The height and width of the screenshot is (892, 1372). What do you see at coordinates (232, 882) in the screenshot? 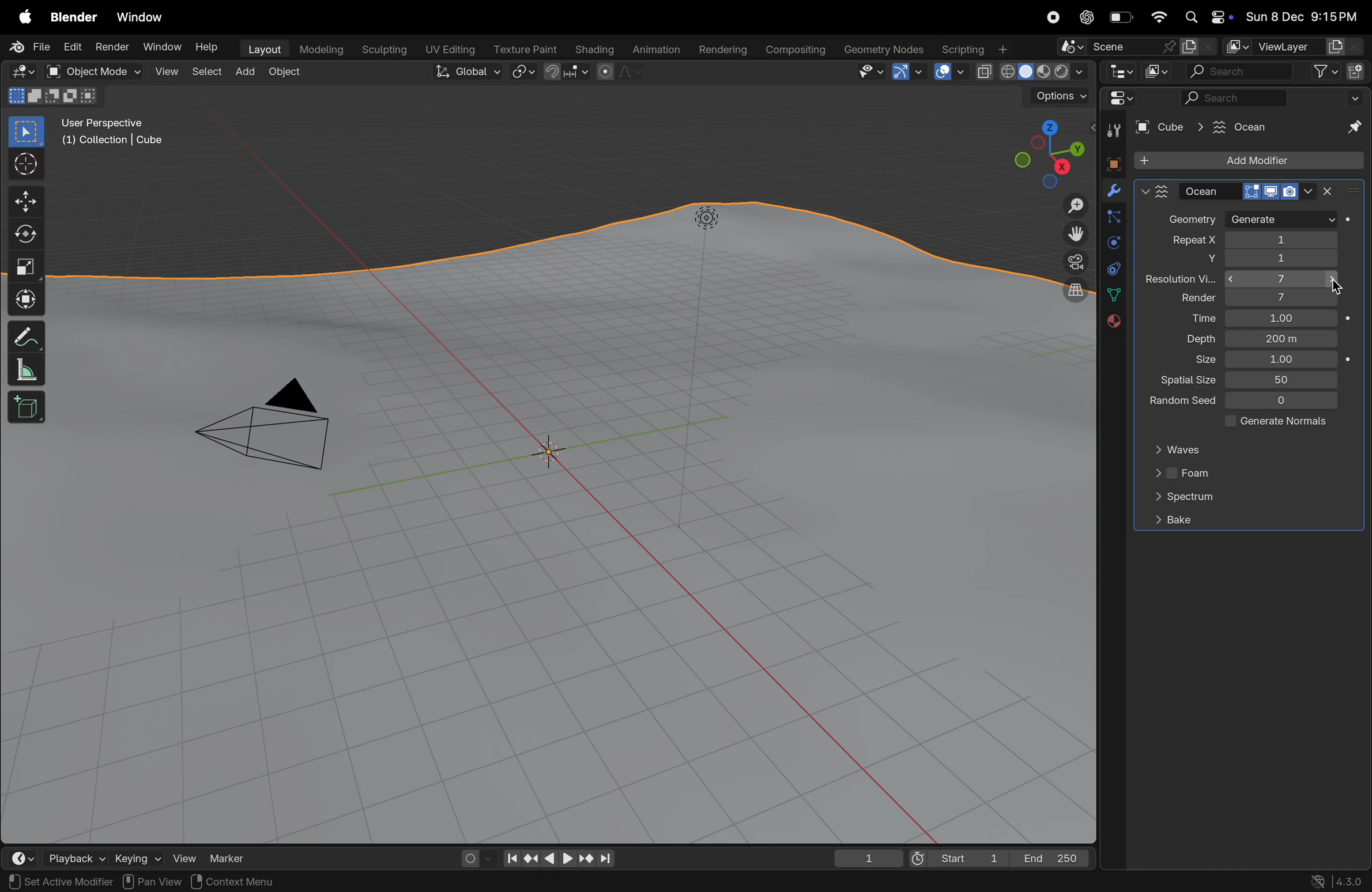
I see `Context Menu` at bounding box center [232, 882].